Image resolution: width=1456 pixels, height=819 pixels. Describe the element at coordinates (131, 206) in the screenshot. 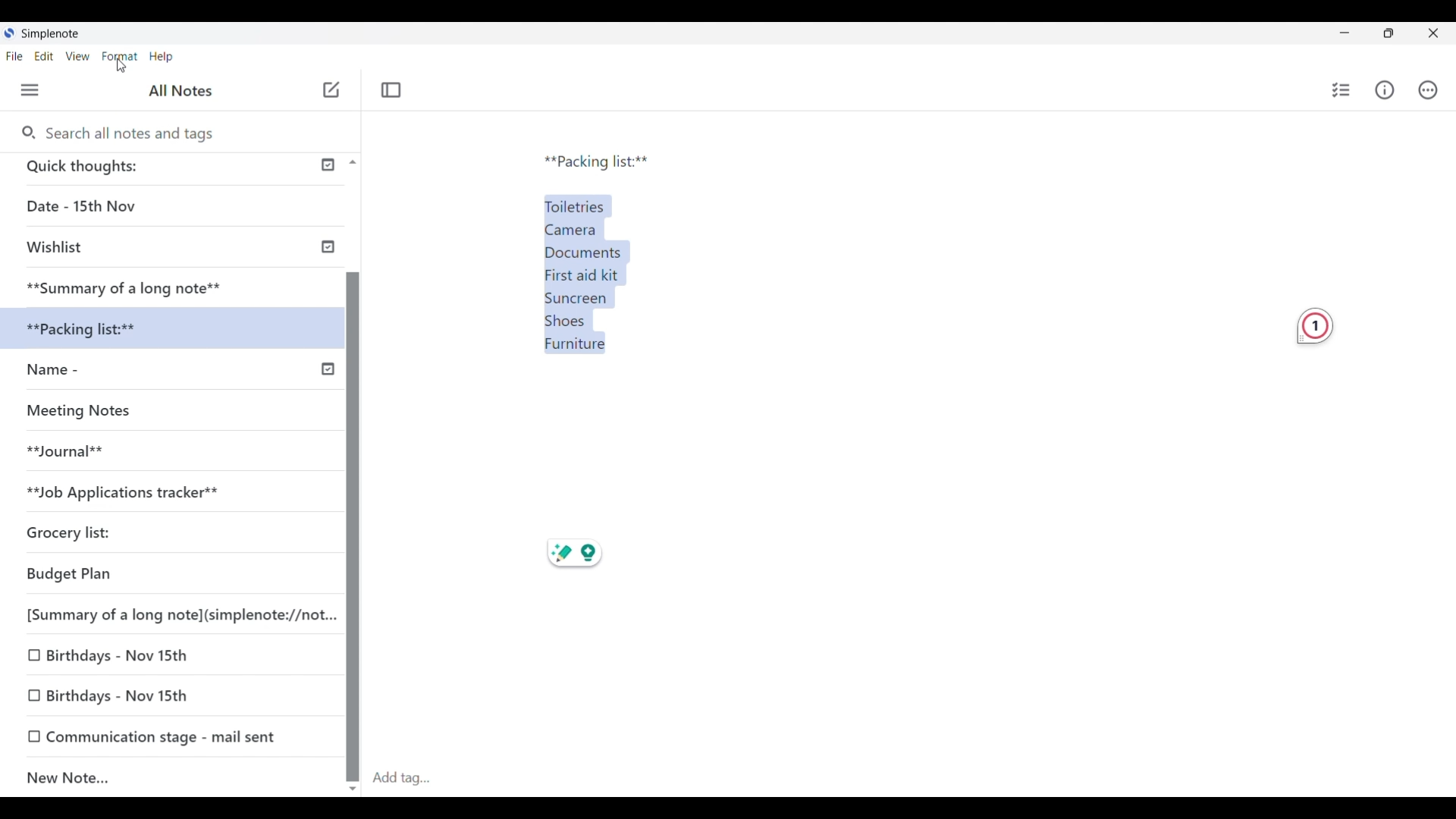

I see `Date - 15th Nov` at that location.